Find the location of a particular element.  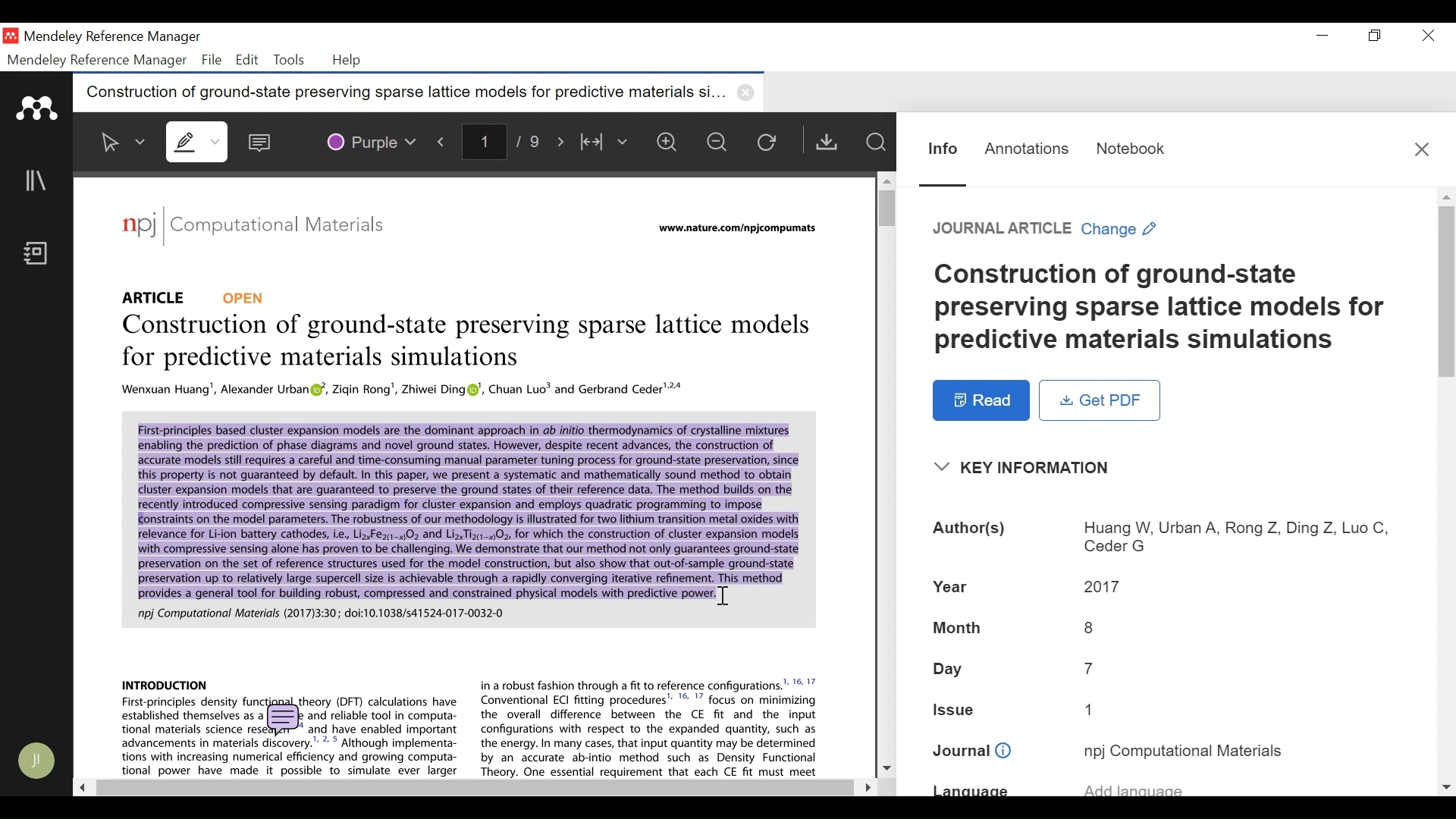

Highlights is located at coordinates (199, 141).